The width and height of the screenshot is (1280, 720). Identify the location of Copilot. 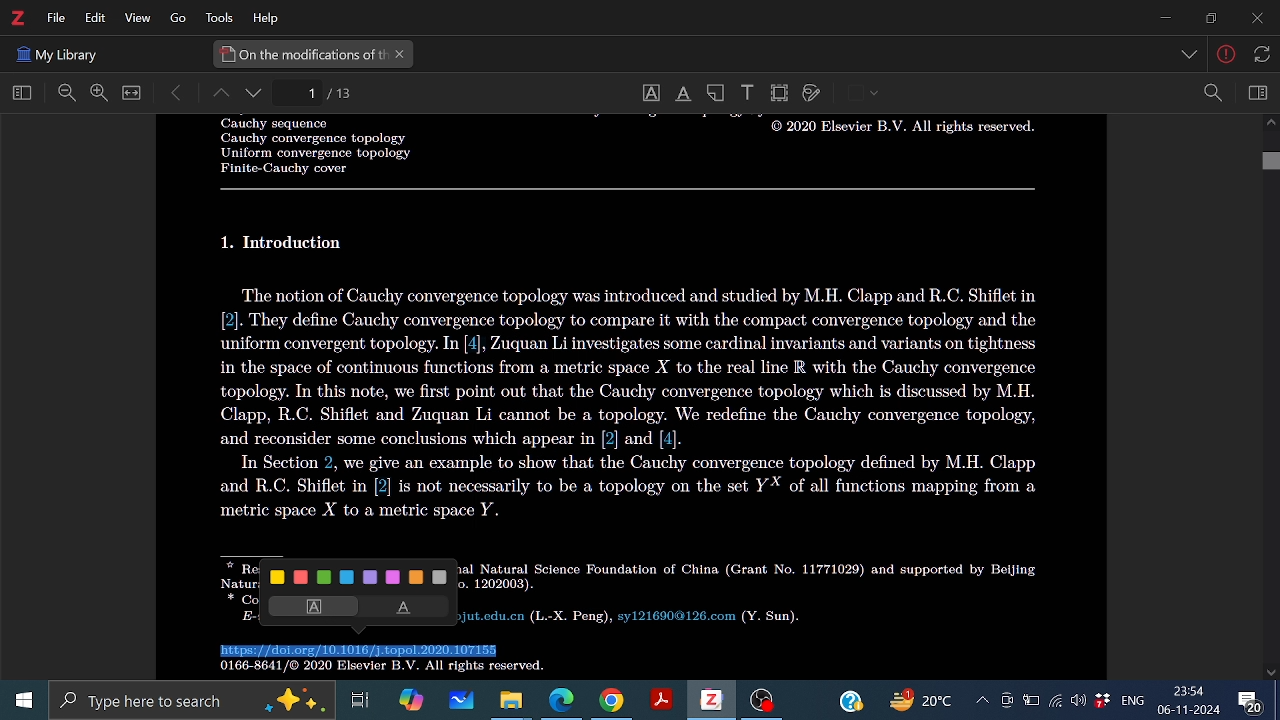
(410, 700).